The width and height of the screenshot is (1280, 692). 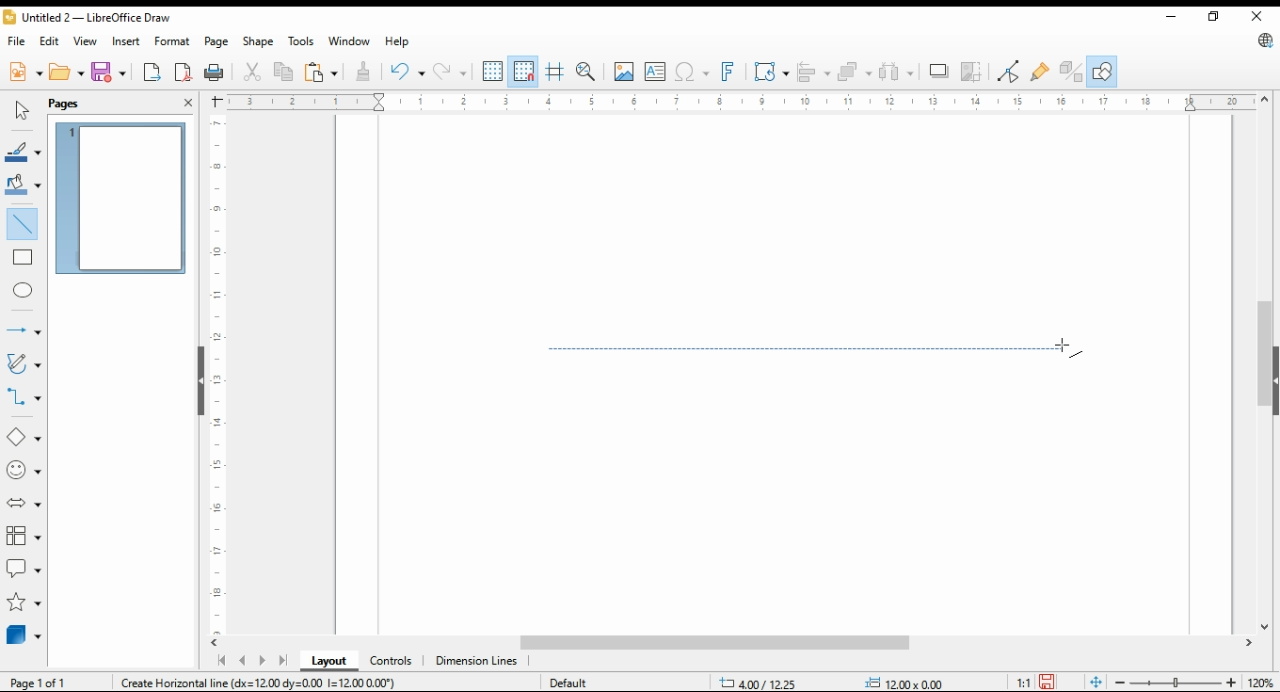 I want to click on page 1, so click(x=120, y=198).